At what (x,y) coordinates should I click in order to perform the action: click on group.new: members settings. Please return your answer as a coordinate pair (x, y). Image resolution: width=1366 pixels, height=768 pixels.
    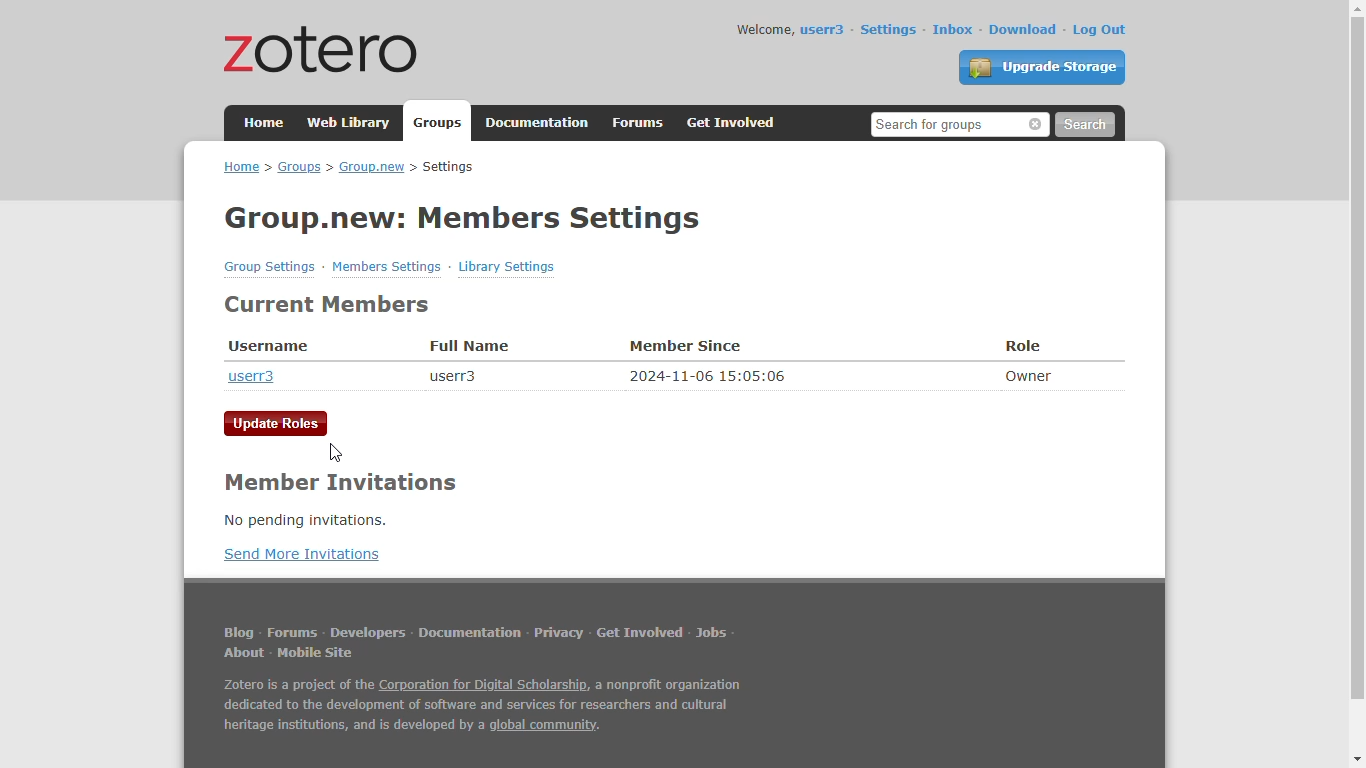
    Looking at the image, I should click on (464, 218).